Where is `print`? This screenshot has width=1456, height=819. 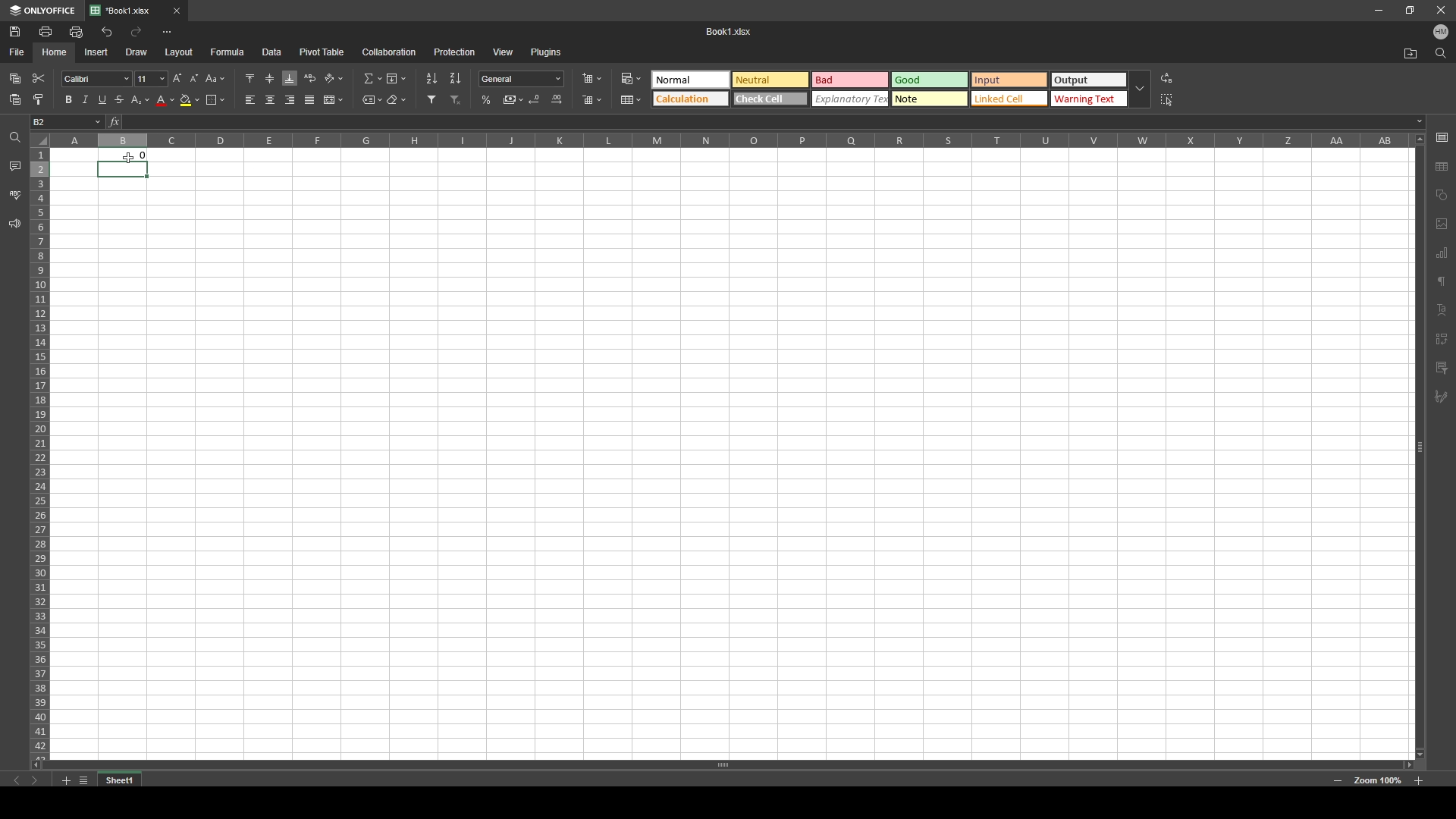
print is located at coordinates (47, 31).